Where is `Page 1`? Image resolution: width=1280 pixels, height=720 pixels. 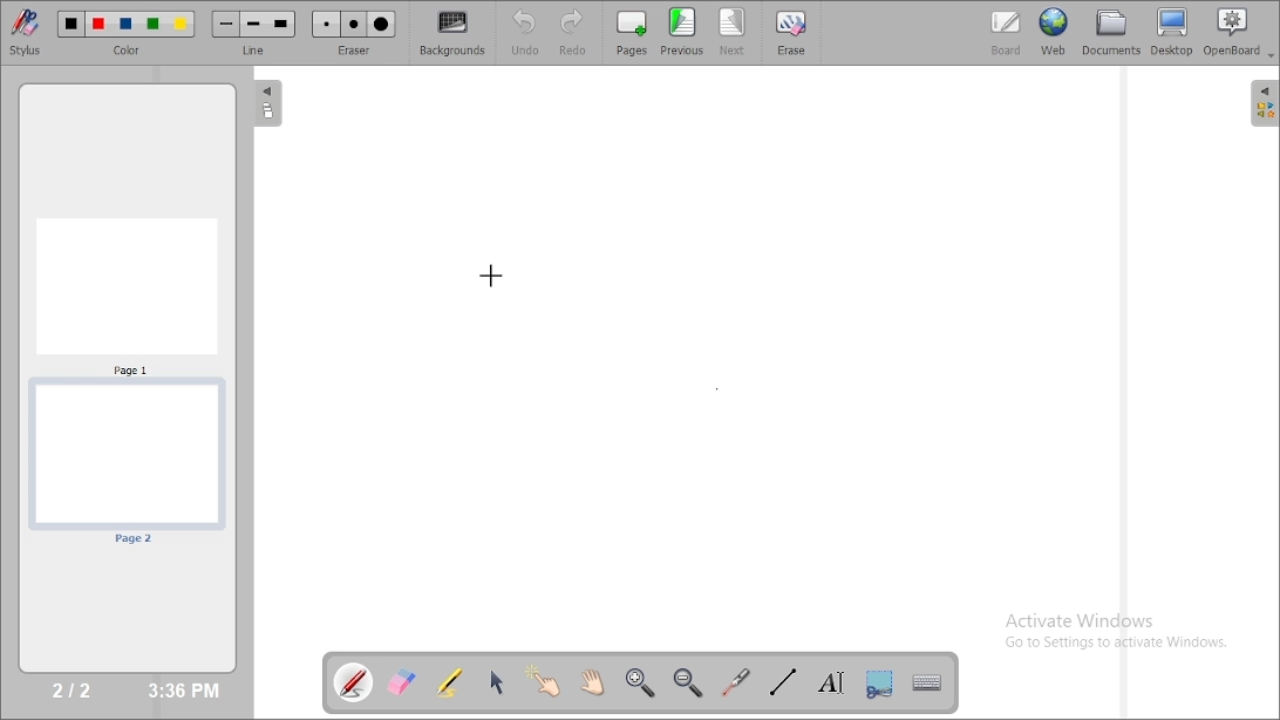
Page 1 is located at coordinates (127, 295).